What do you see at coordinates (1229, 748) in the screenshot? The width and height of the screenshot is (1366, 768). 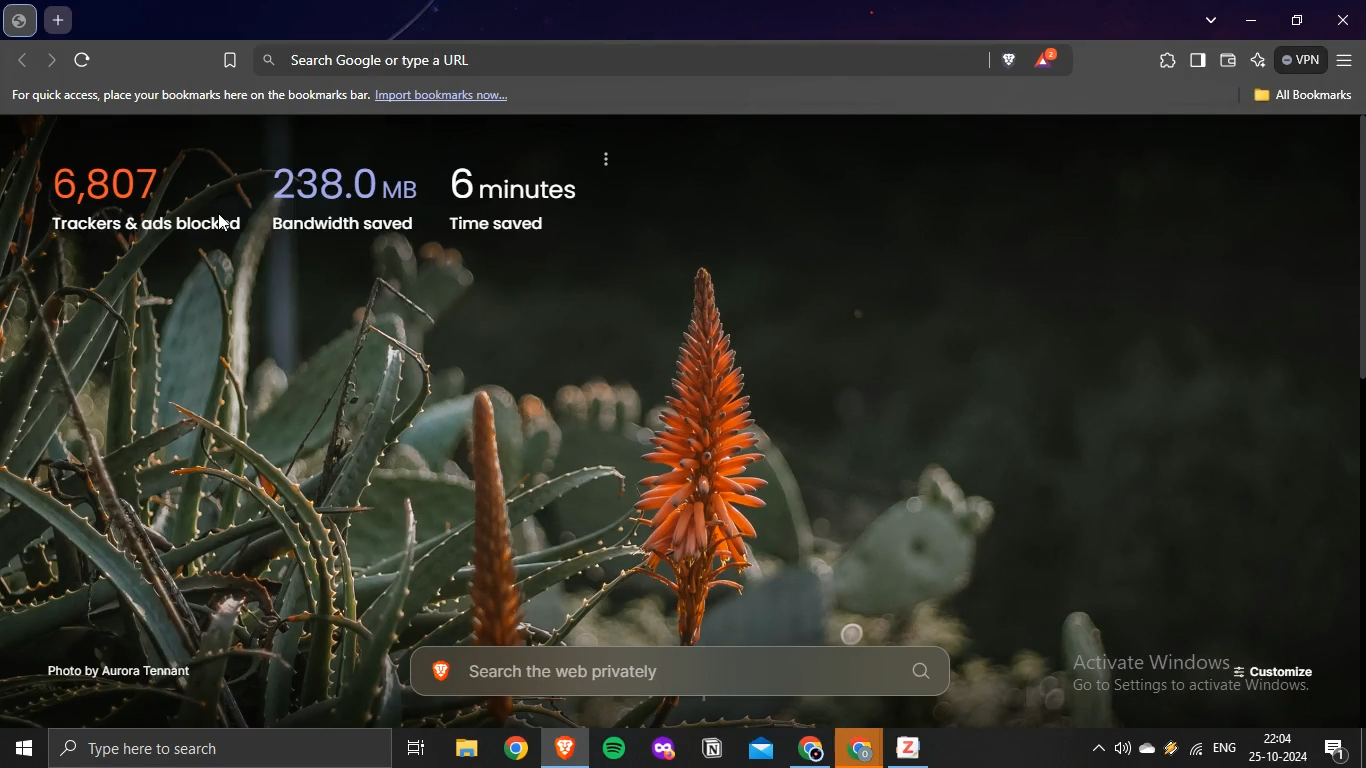 I see `english` at bounding box center [1229, 748].